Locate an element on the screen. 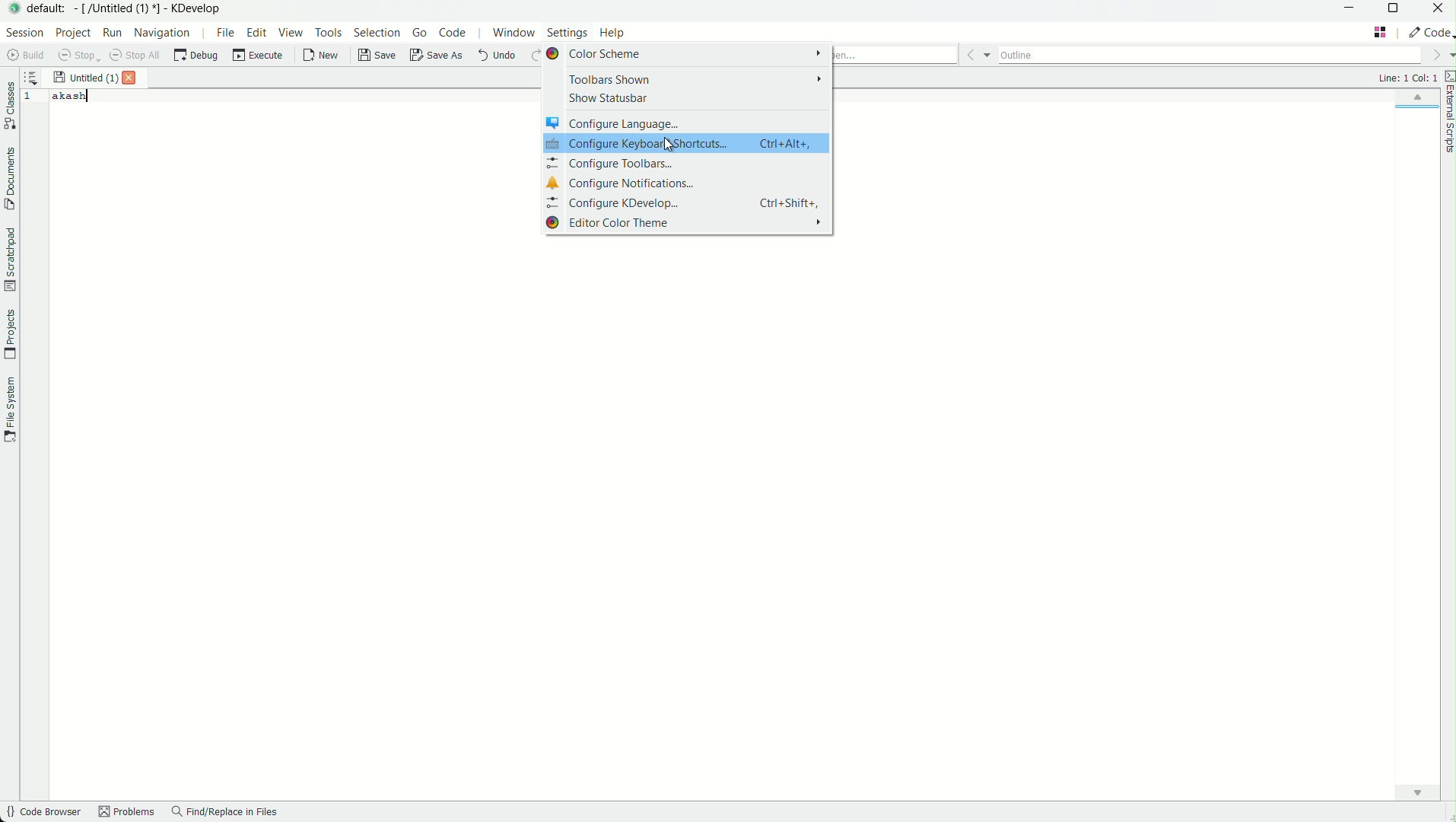 The image size is (1456, 822). configure notifications is located at coordinates (687, 183).